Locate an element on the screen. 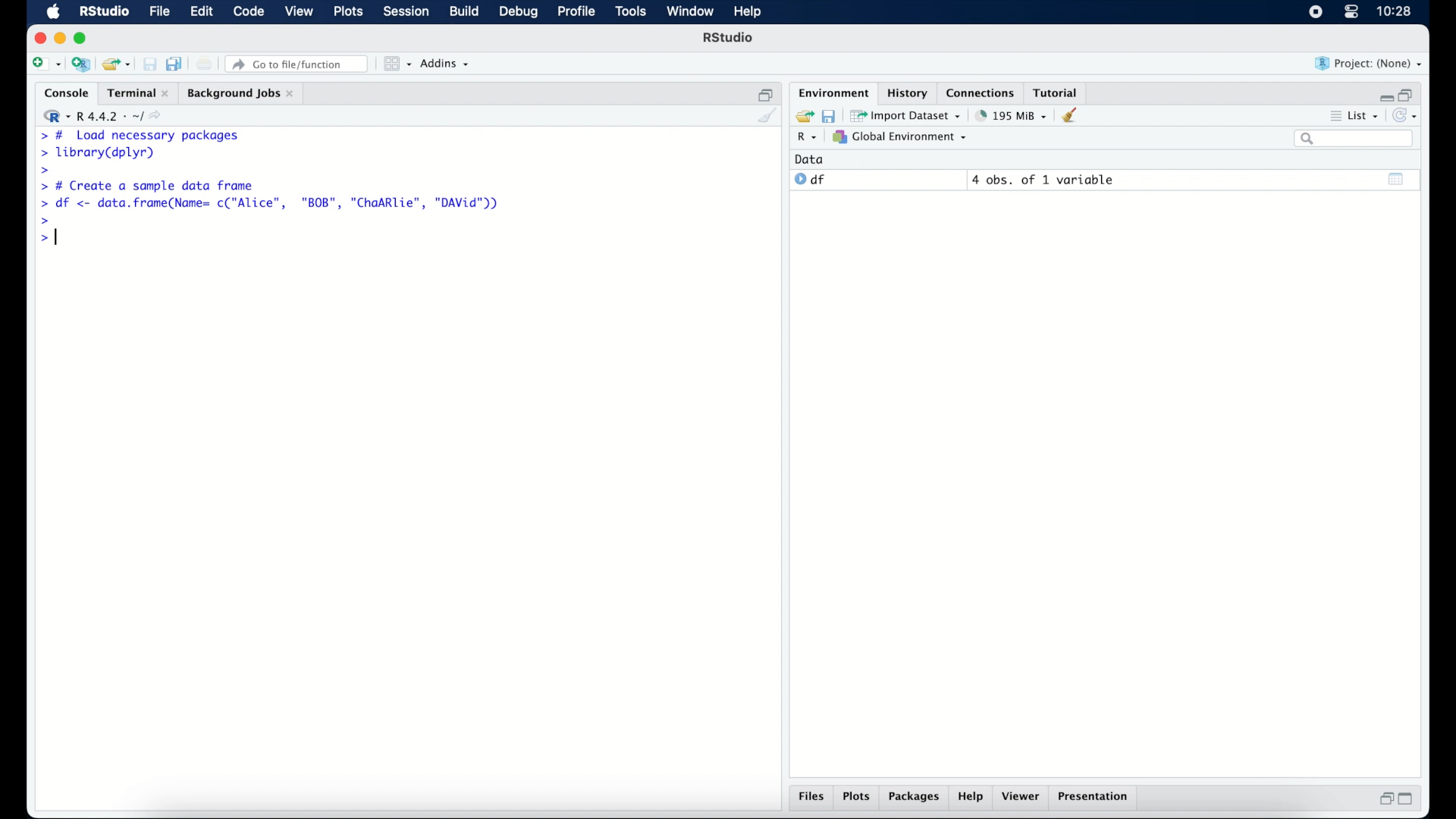 The height and width of the screenshot is (819, 1456). create new file is located at coordinates (45, 65).